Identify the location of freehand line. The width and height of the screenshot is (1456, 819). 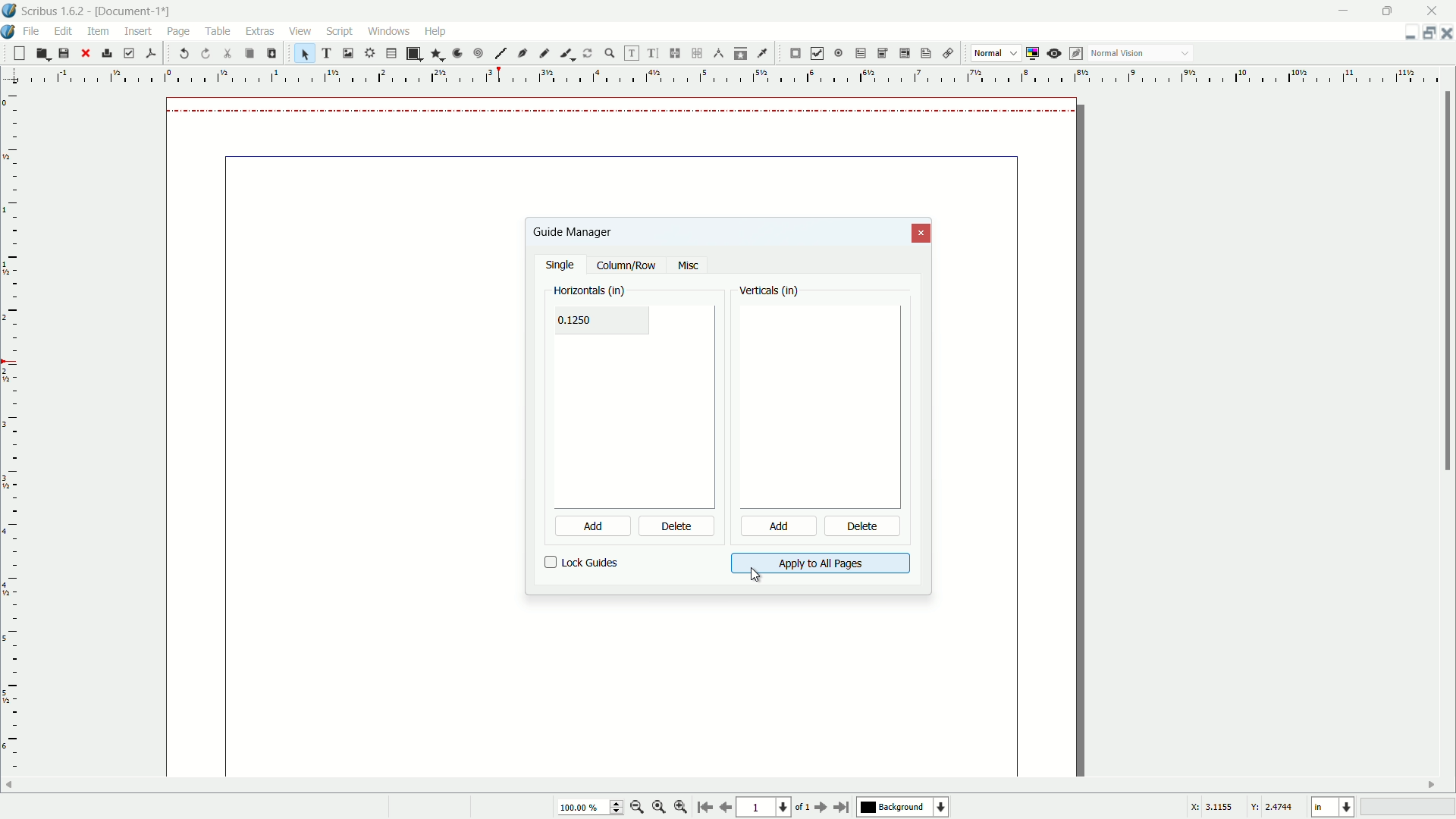
(545, 53).